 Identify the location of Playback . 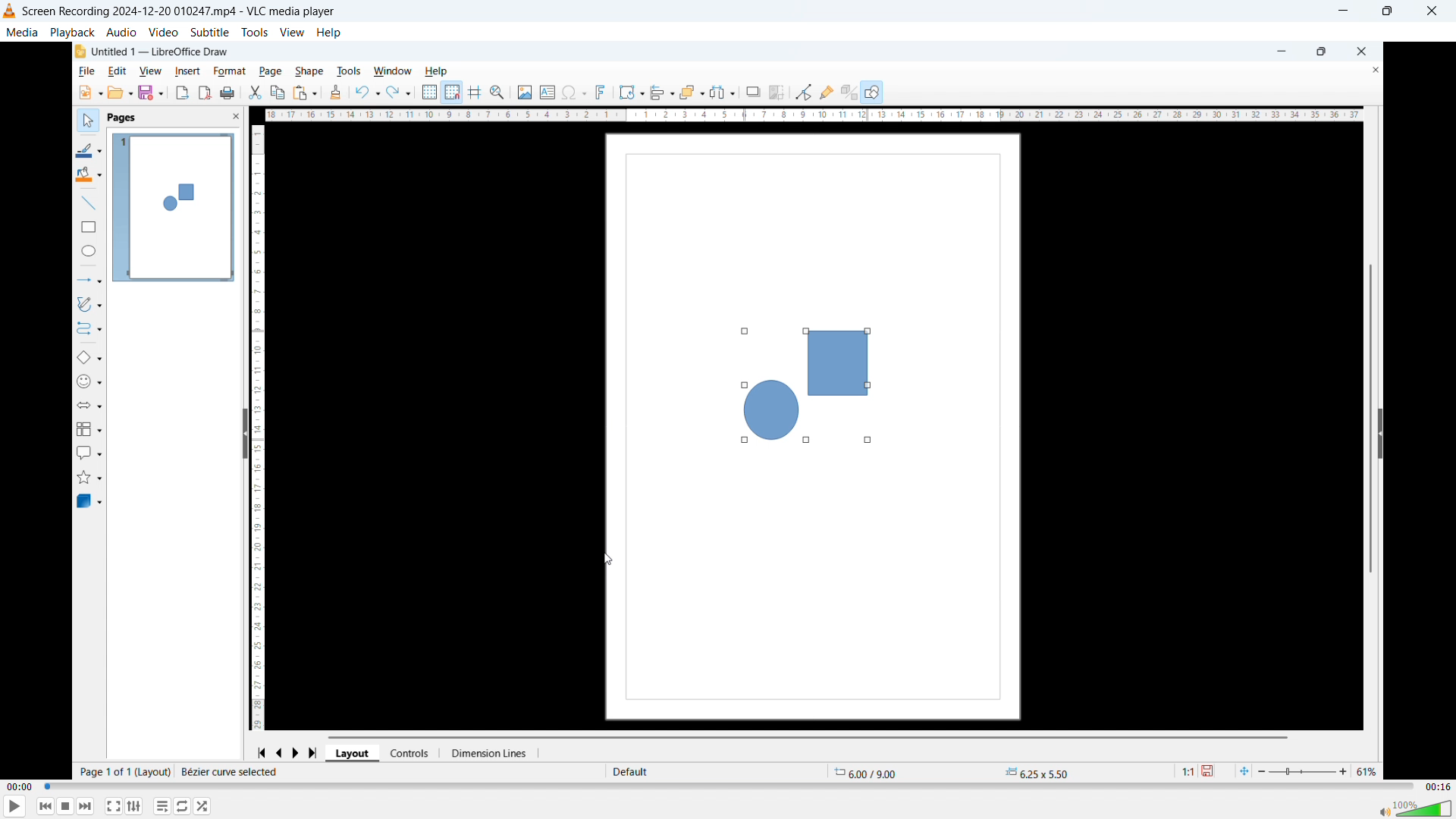
(72, 32).